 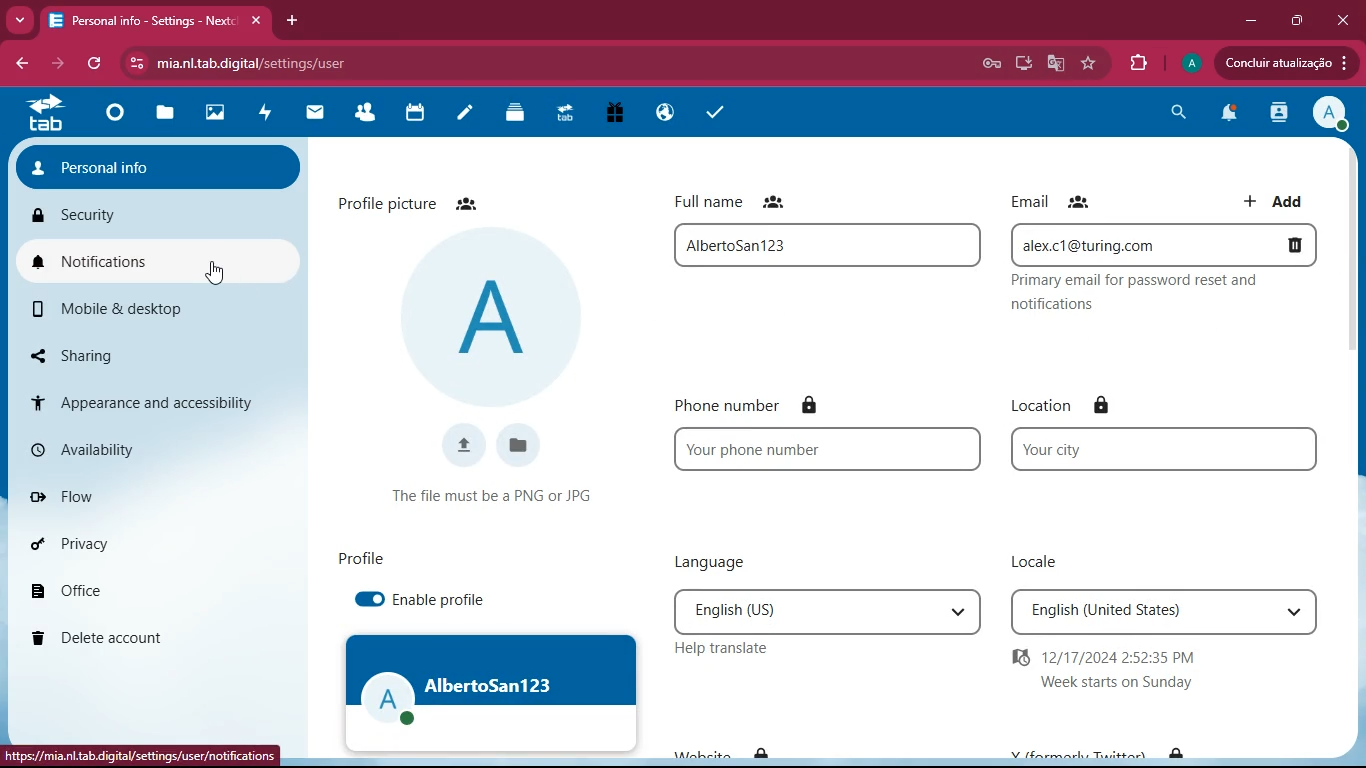 What do you see at coordinates (137, 446) in the screenshot?
I see `availability` at bounding box center [137, 446].